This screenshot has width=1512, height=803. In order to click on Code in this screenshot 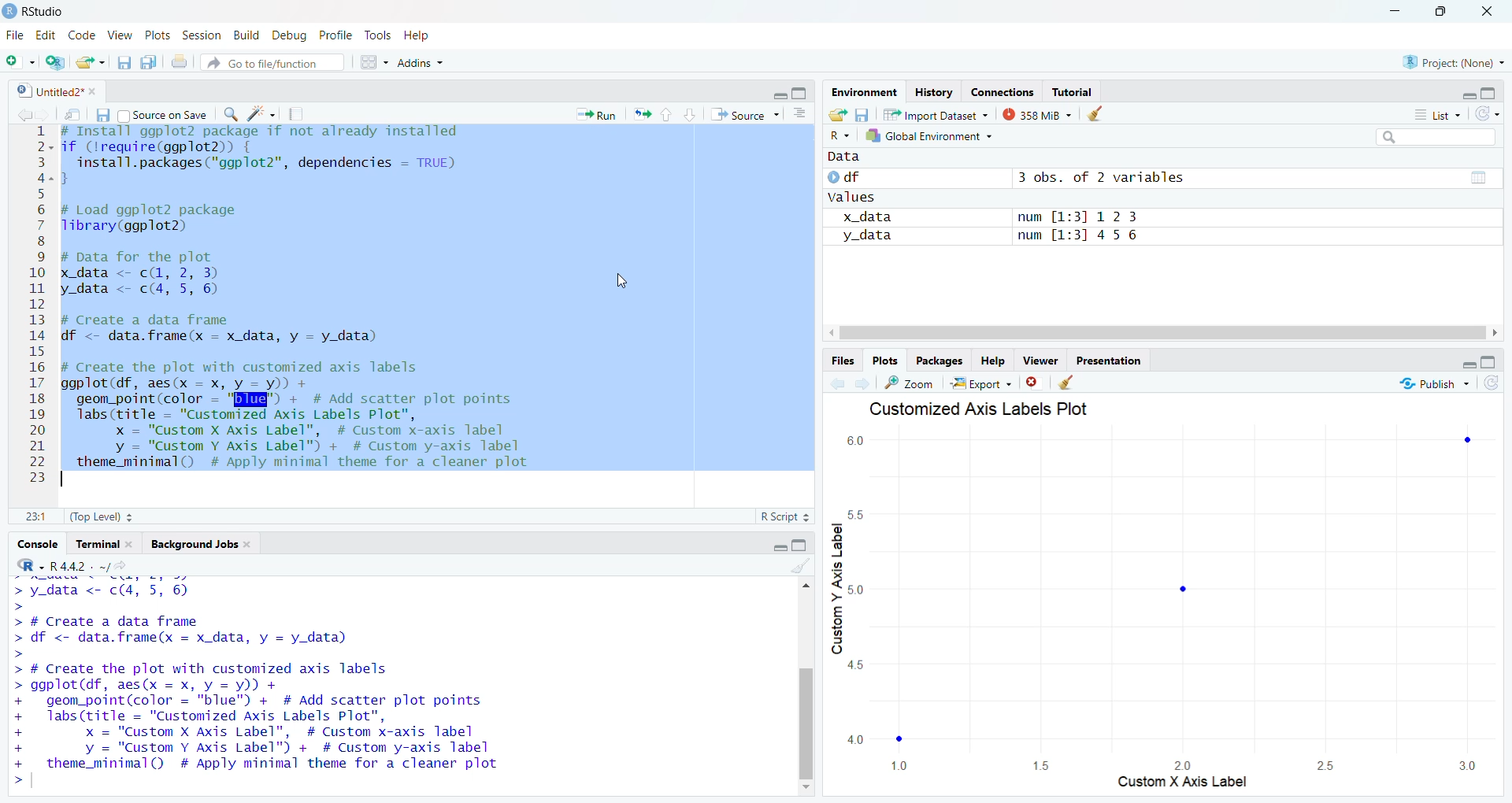, I will do `click(82, 35)`.